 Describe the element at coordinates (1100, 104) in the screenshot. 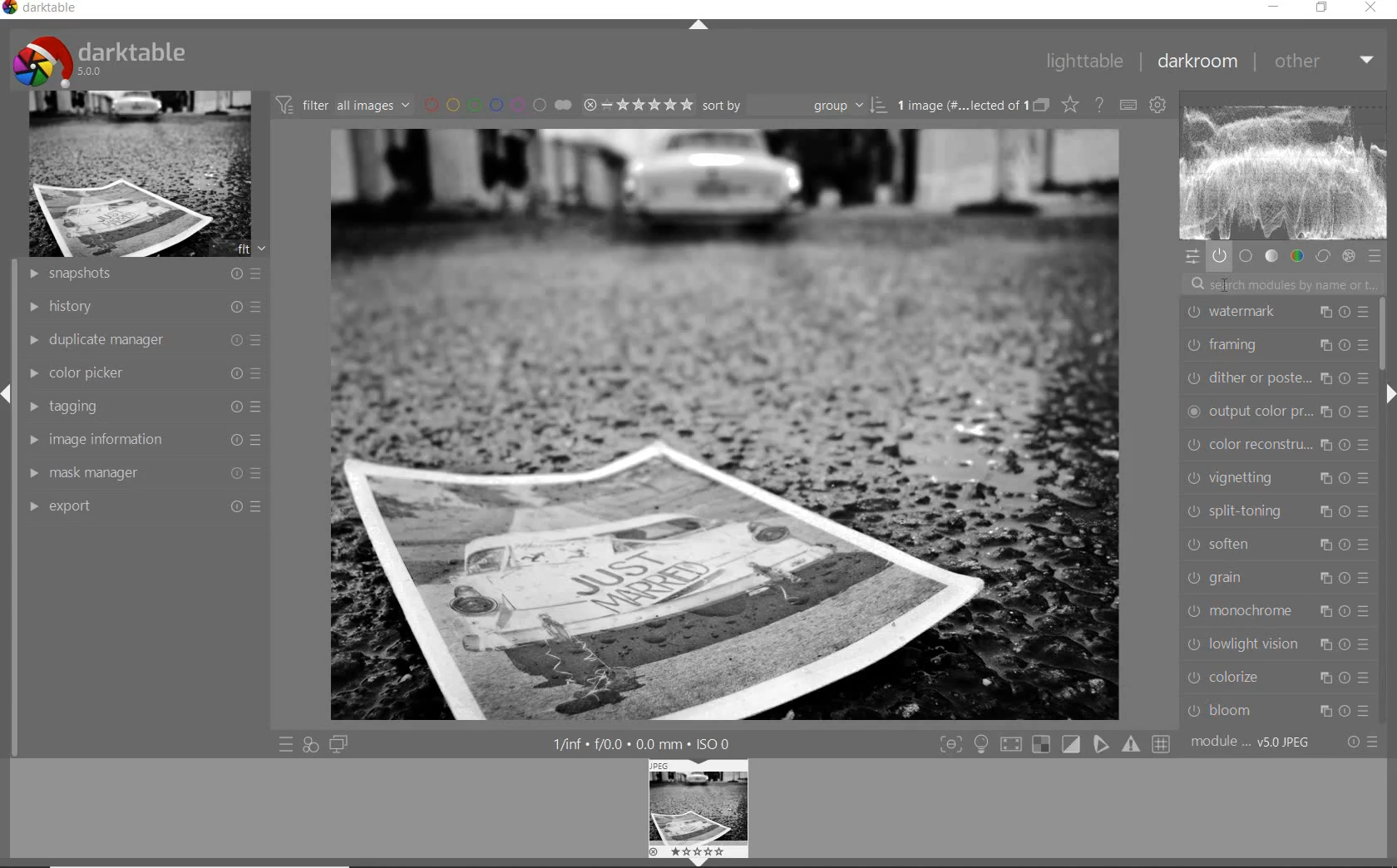

I see `enable for online help` at that location.